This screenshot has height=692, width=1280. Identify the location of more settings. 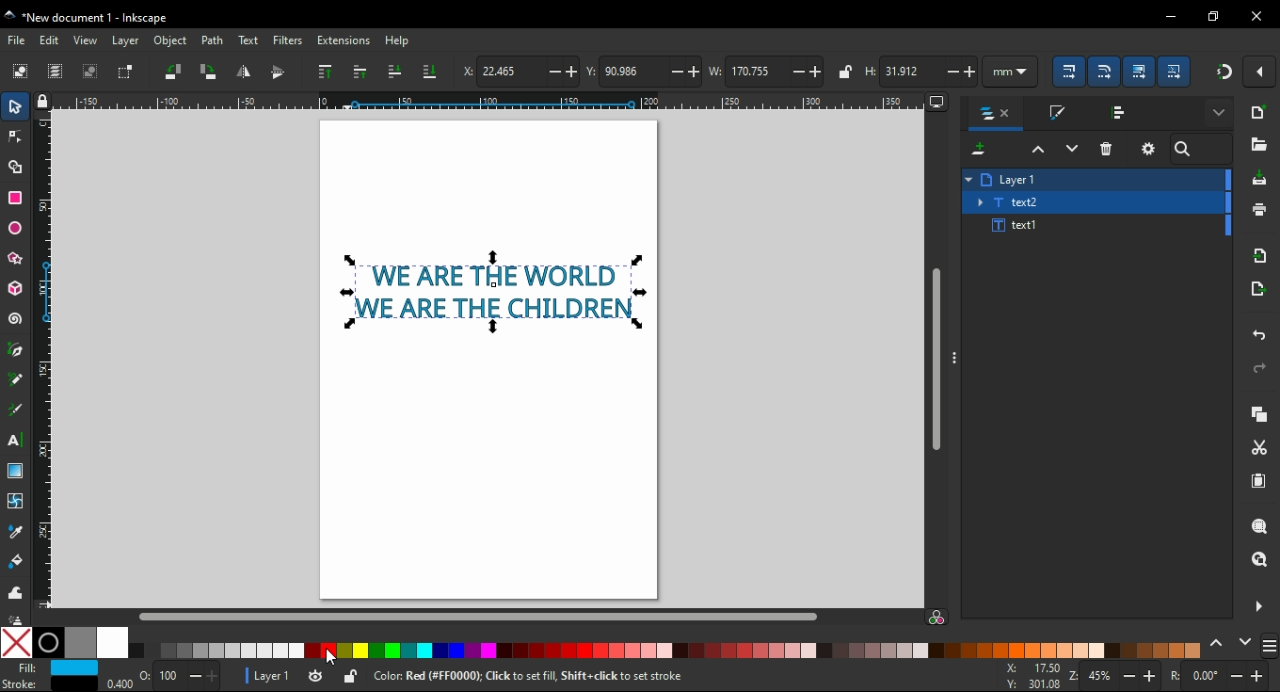
(1218, 113).